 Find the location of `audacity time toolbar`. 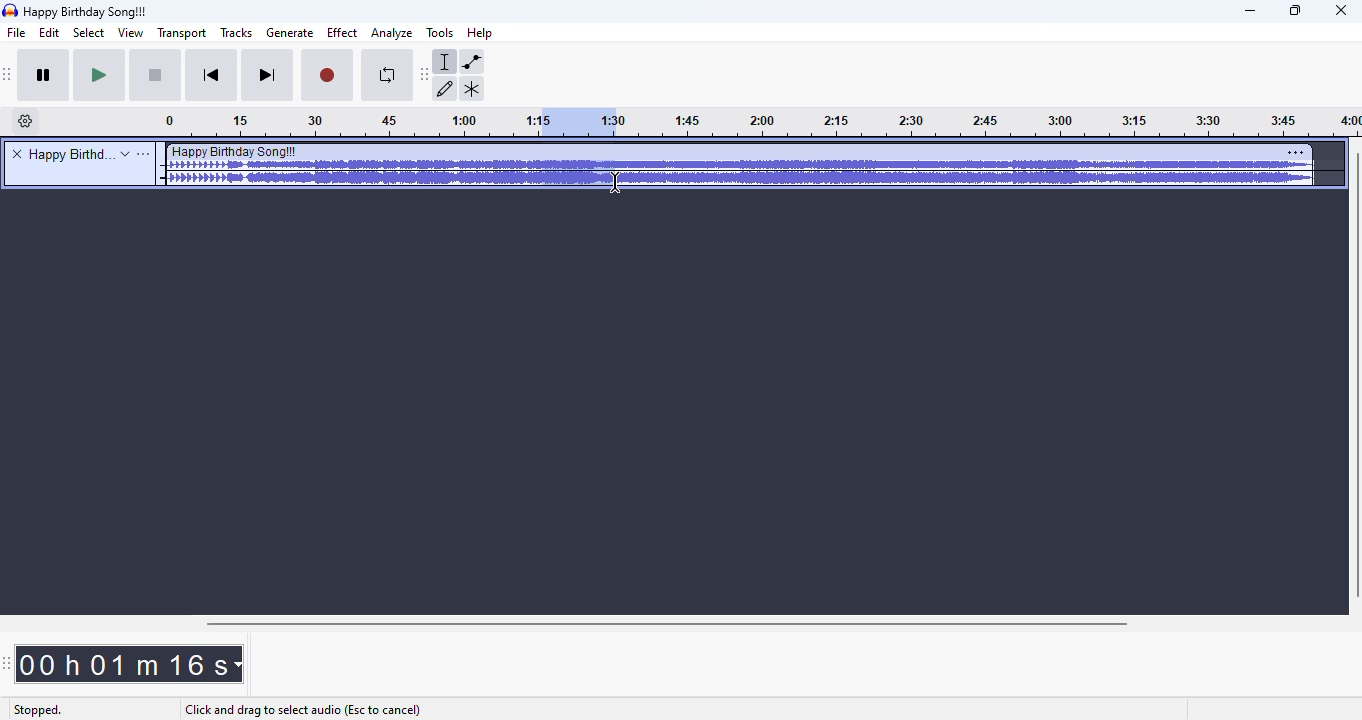

audacity time toolbar is located at coordinates (7, 664).